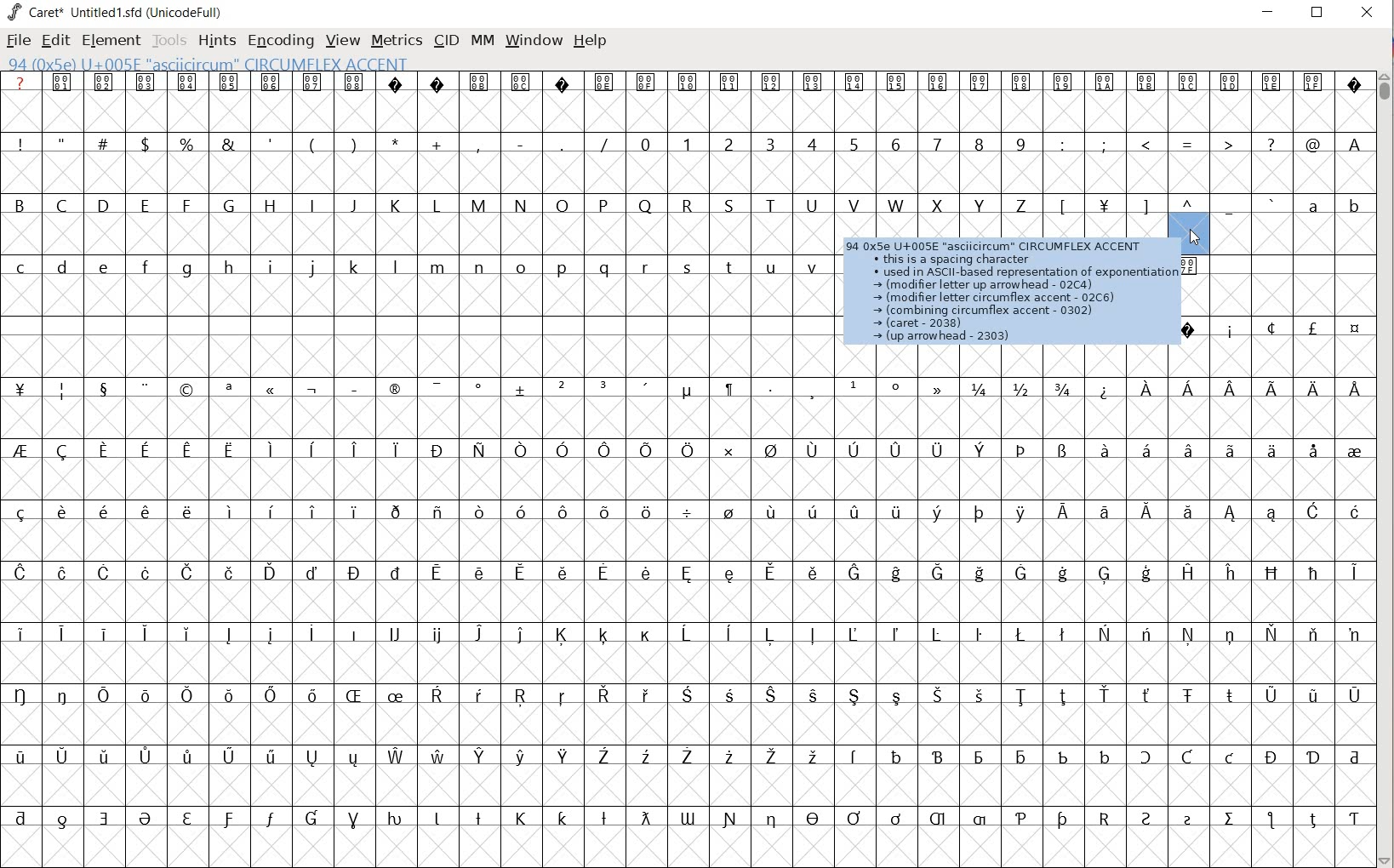  Describe the element at coordinates (269, 65) in the screenshot. I see `94 0xSe U+00SE "asciicircum CIRCUMFLEX ACCENT` at that location.